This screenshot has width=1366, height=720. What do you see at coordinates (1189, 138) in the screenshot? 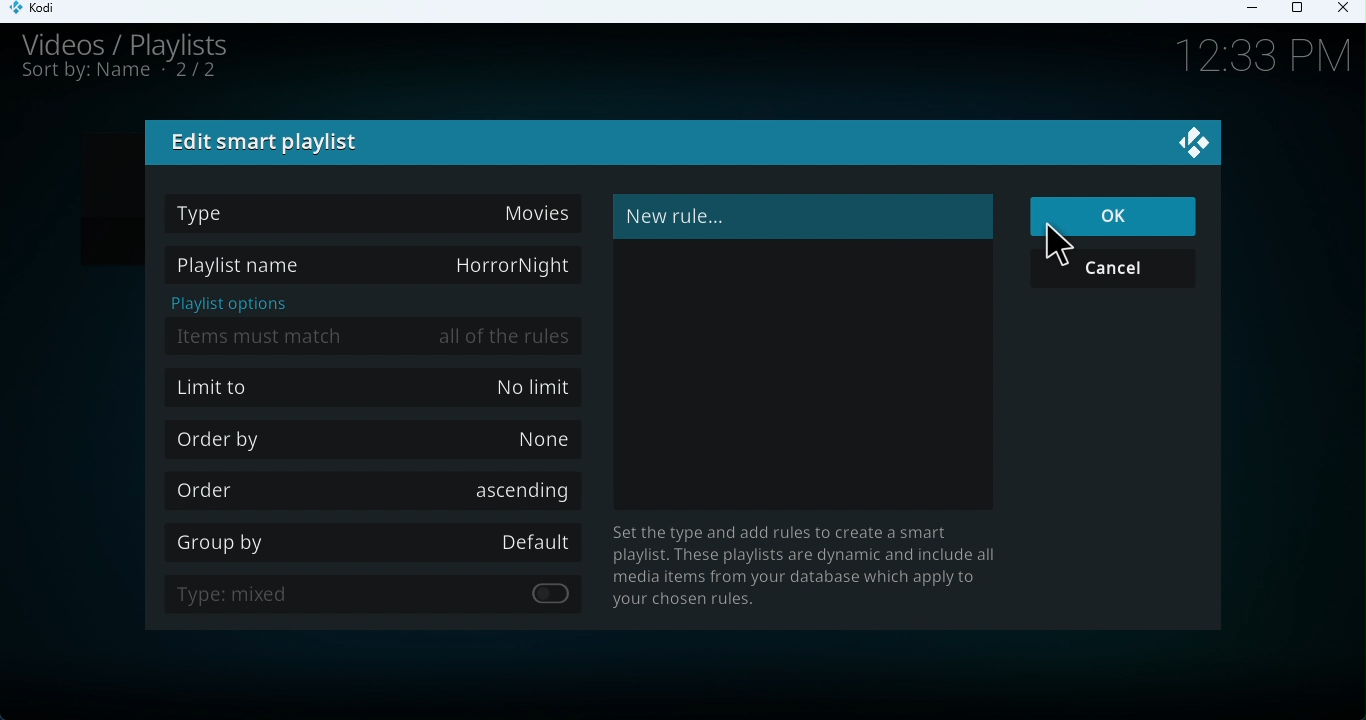
I see `Logo` at bounding box center [1189, 138].